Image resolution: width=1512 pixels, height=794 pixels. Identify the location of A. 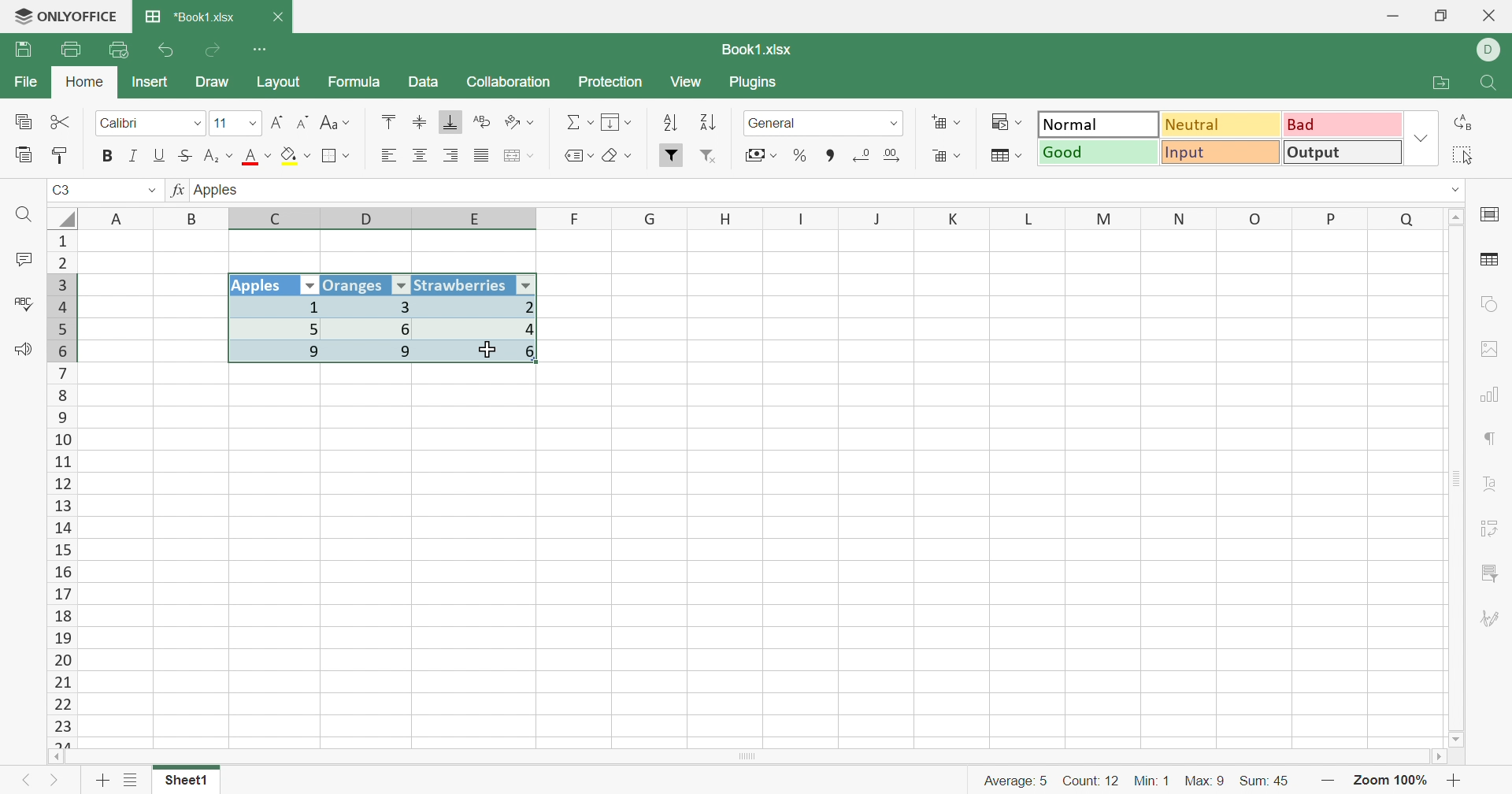
(118, 217).